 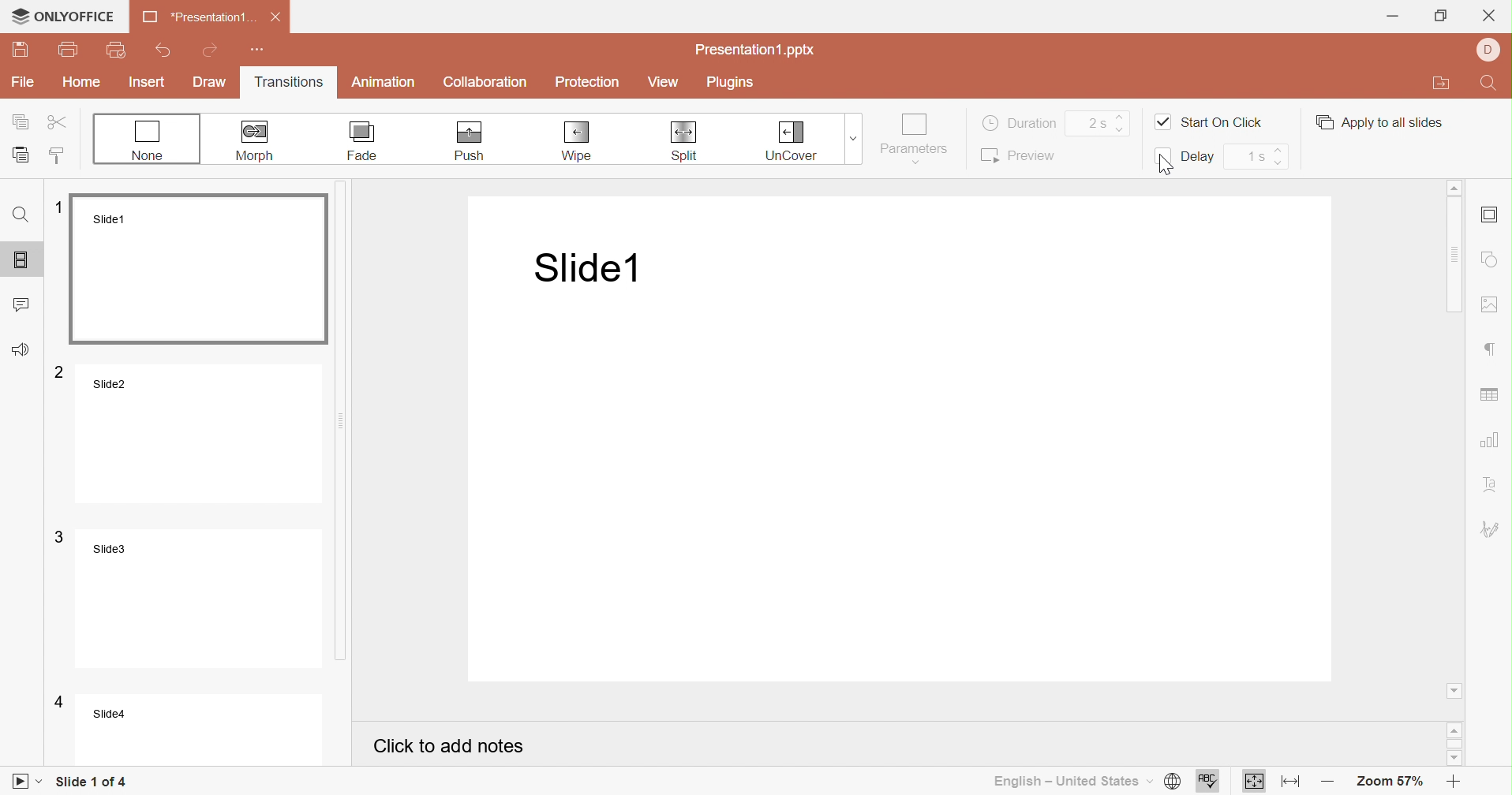 What do you see at coordinates (1391, 783) in the screenshot?
I see `Zoom 57%` at bounding box center [1391, 783].